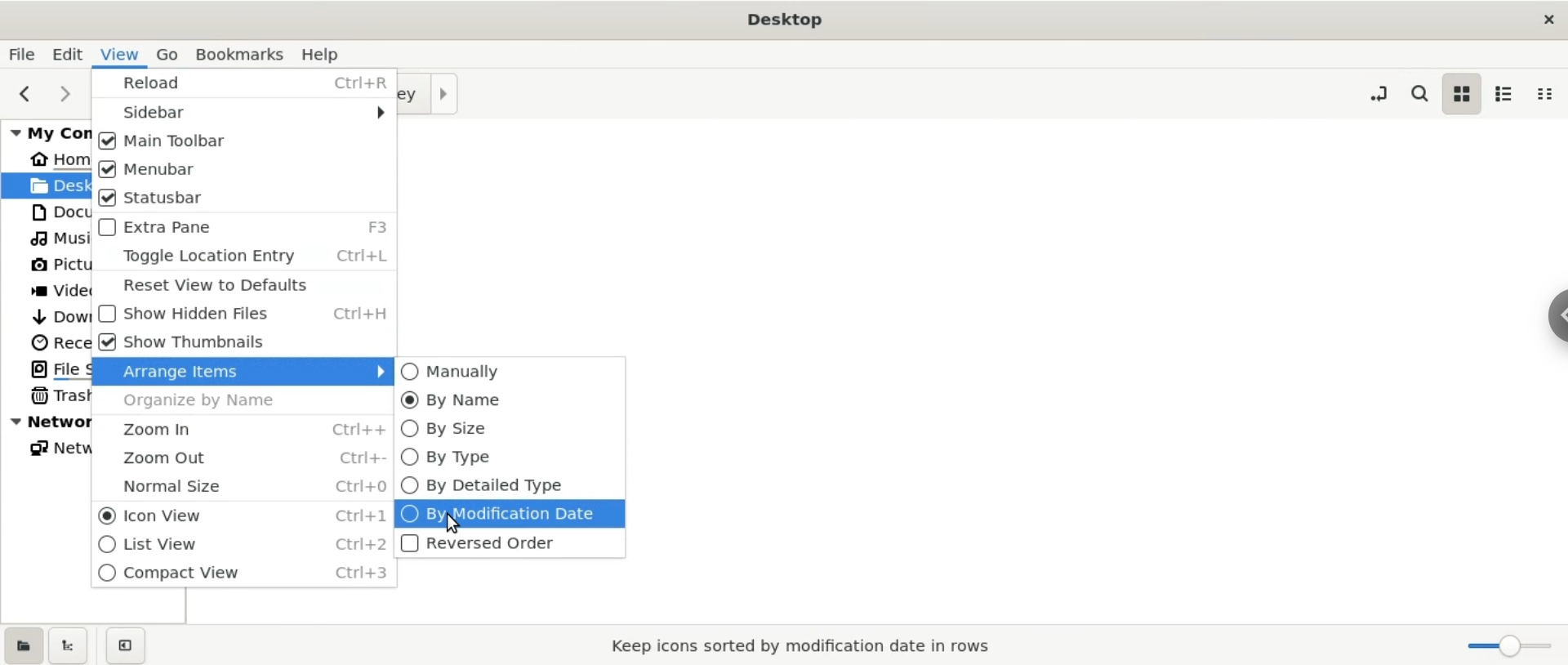 The image size is (1568, 665). I want to click on show hidden files, so click(242, 313).